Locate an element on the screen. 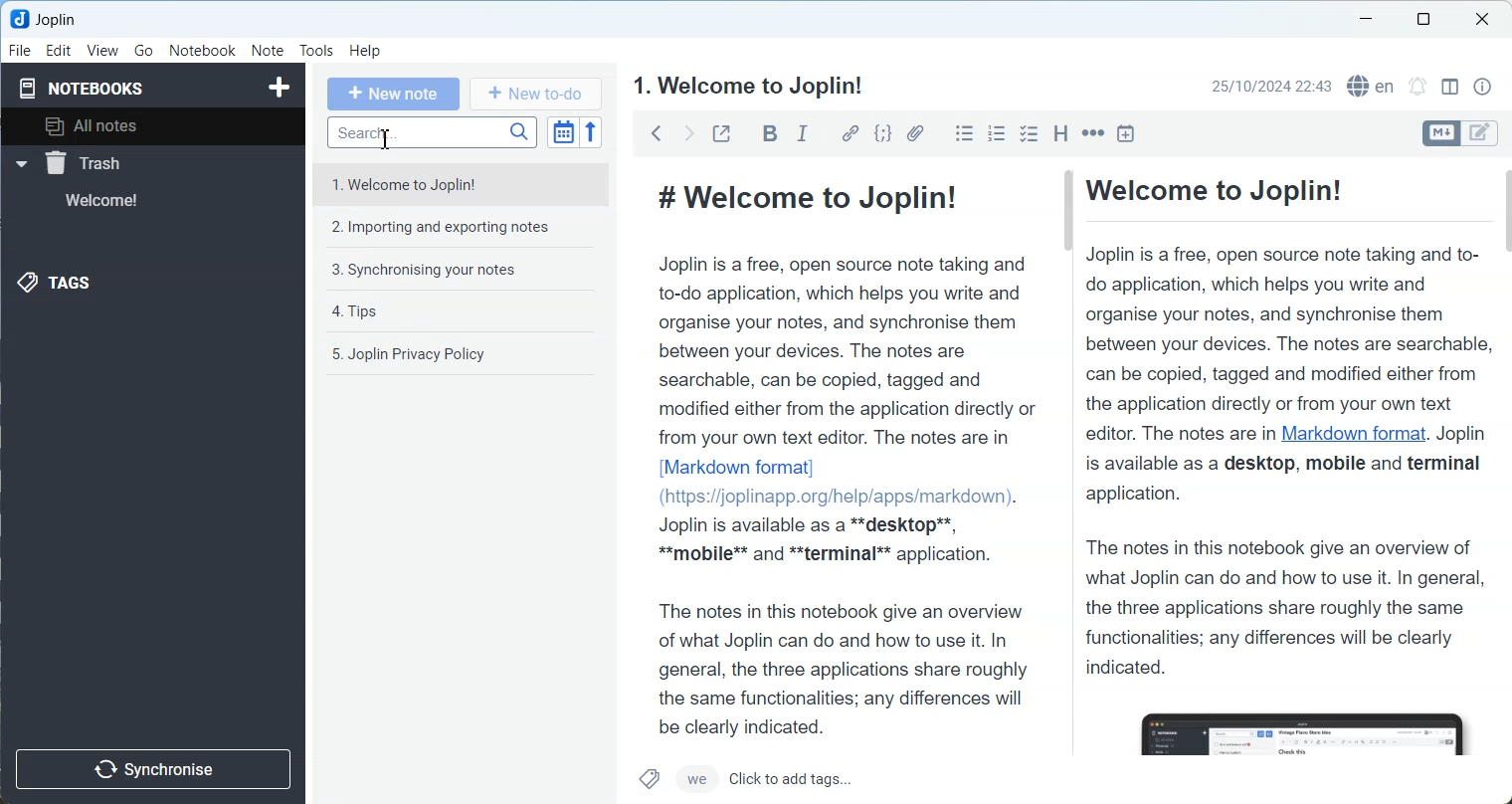 The width and height of the screenshot is (1512, 804). synchronising your Notes is located at coordinates (466, 271).